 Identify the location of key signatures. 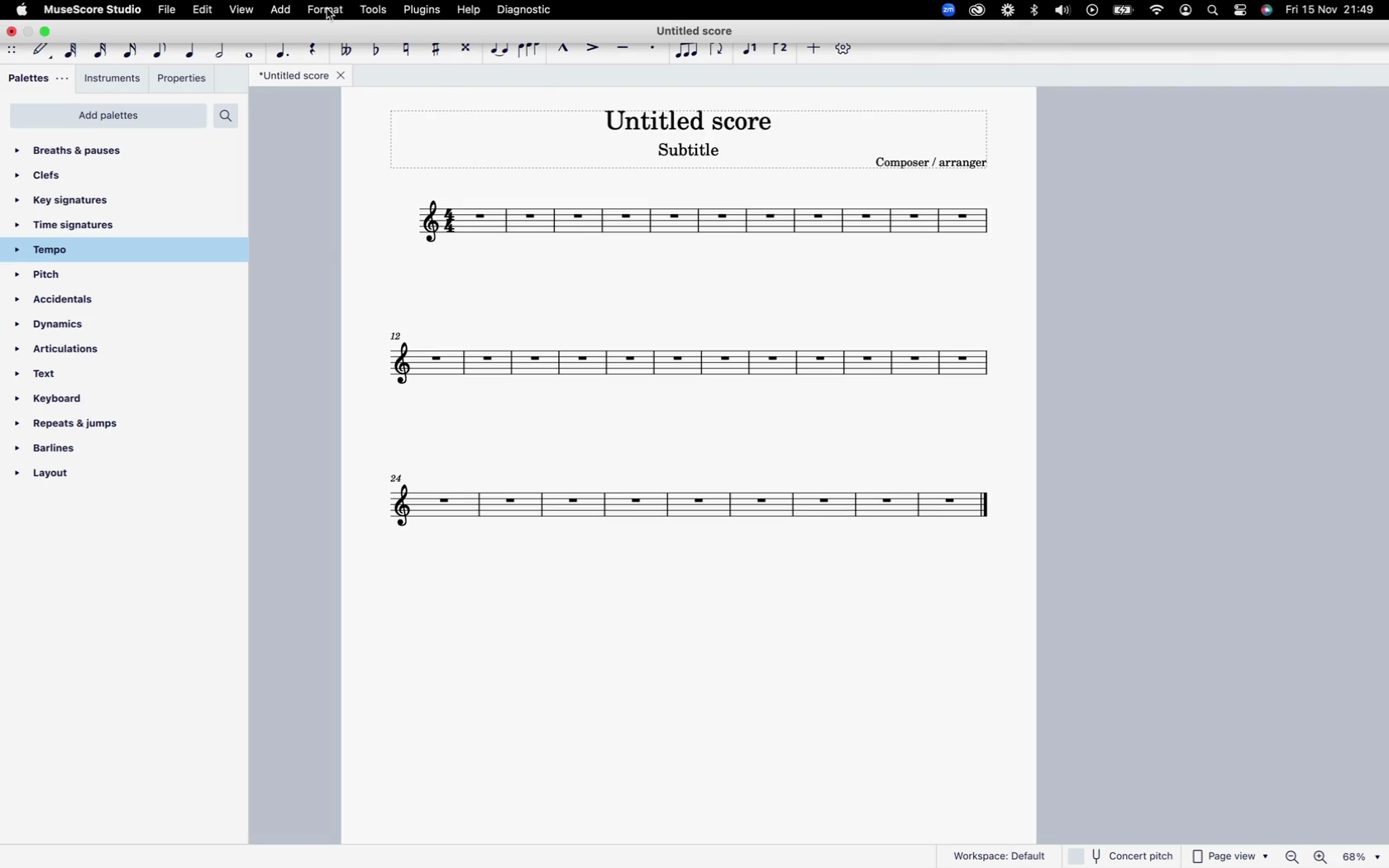
(77, 200).